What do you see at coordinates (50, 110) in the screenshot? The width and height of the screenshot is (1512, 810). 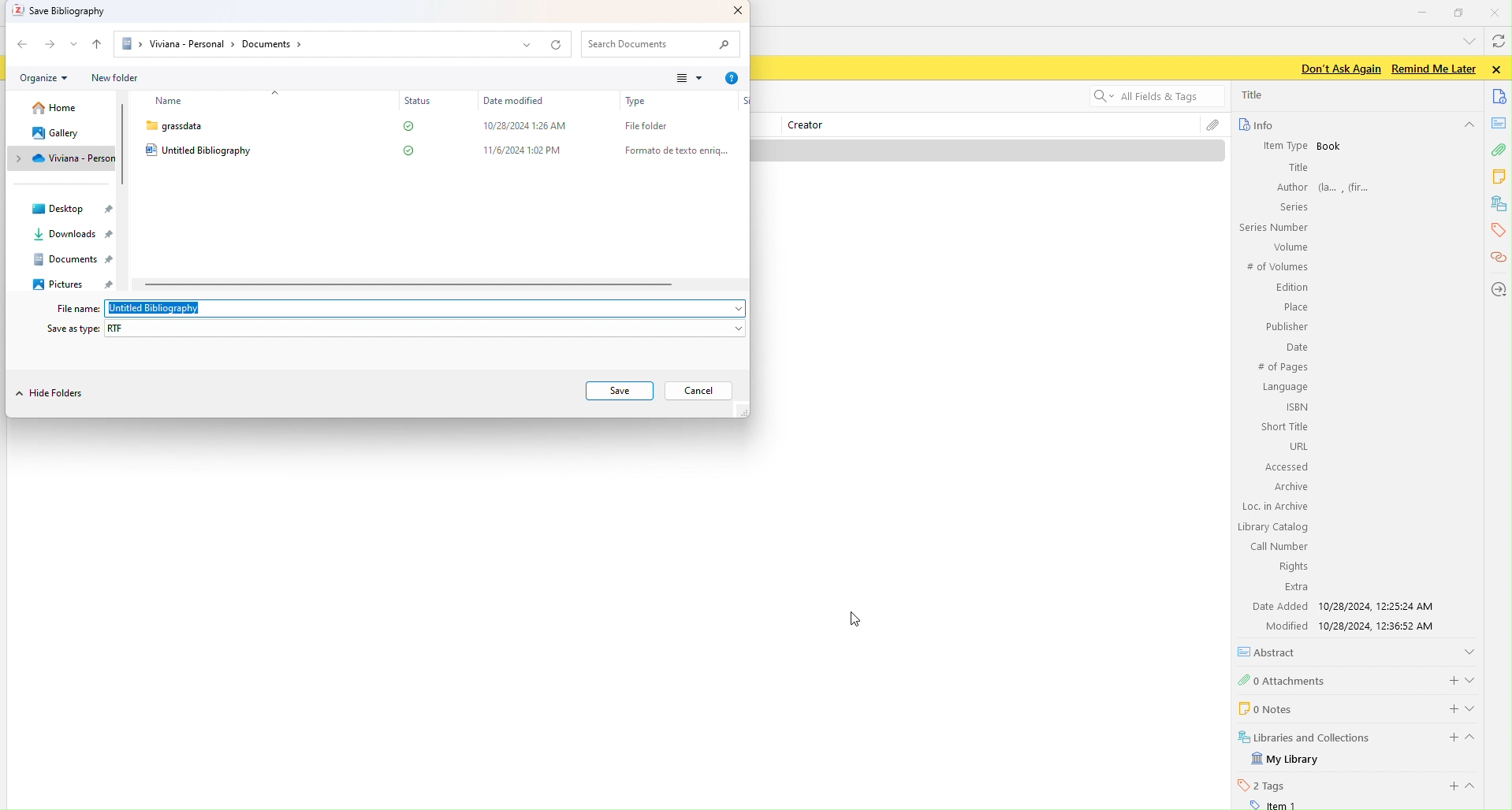 I see `Home` at bounding box center [50, 110].